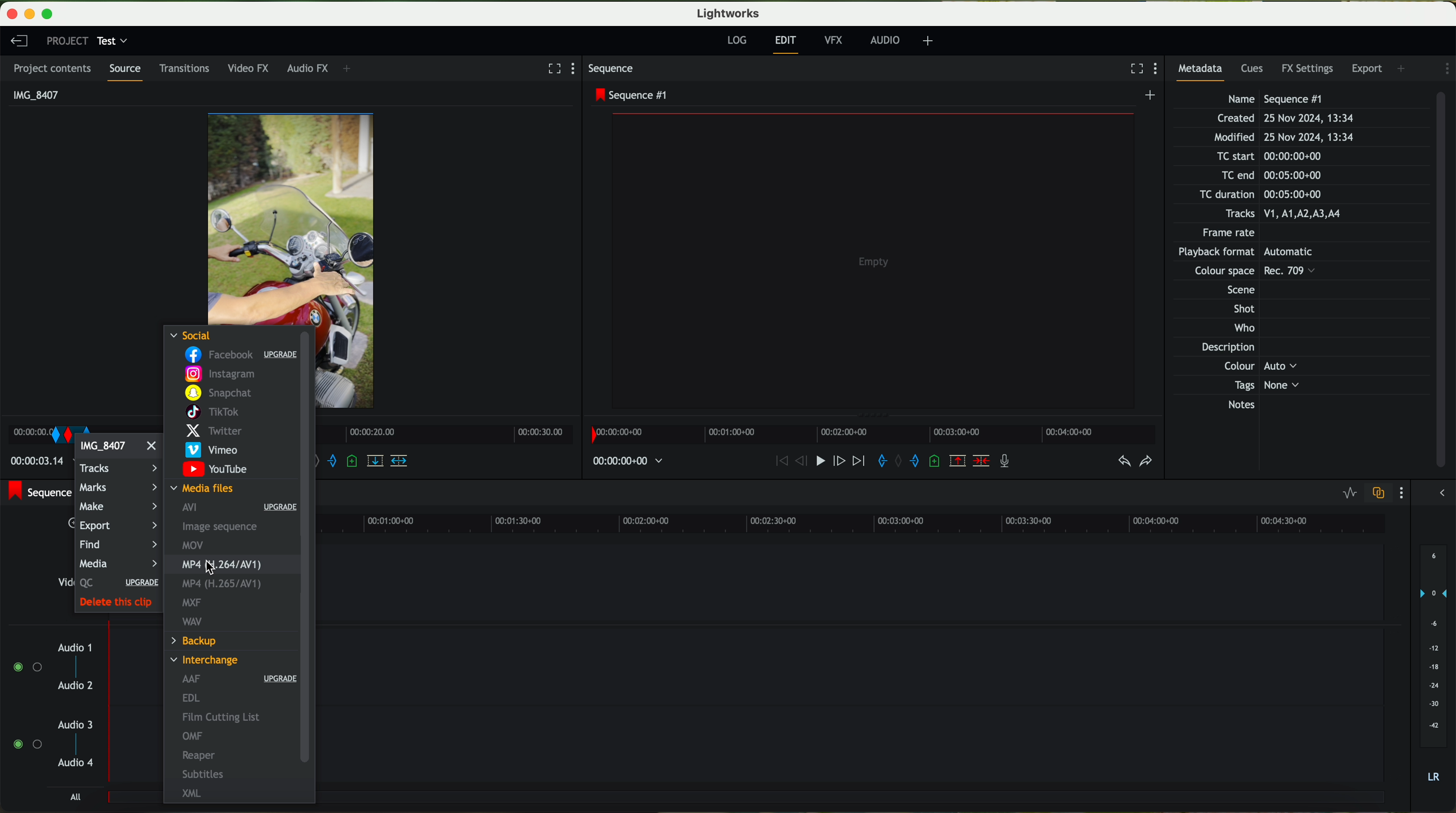  What do you see at coordinates (239, 509) in the screenshot?
I see `AVI` at bounding box center [239, 509].